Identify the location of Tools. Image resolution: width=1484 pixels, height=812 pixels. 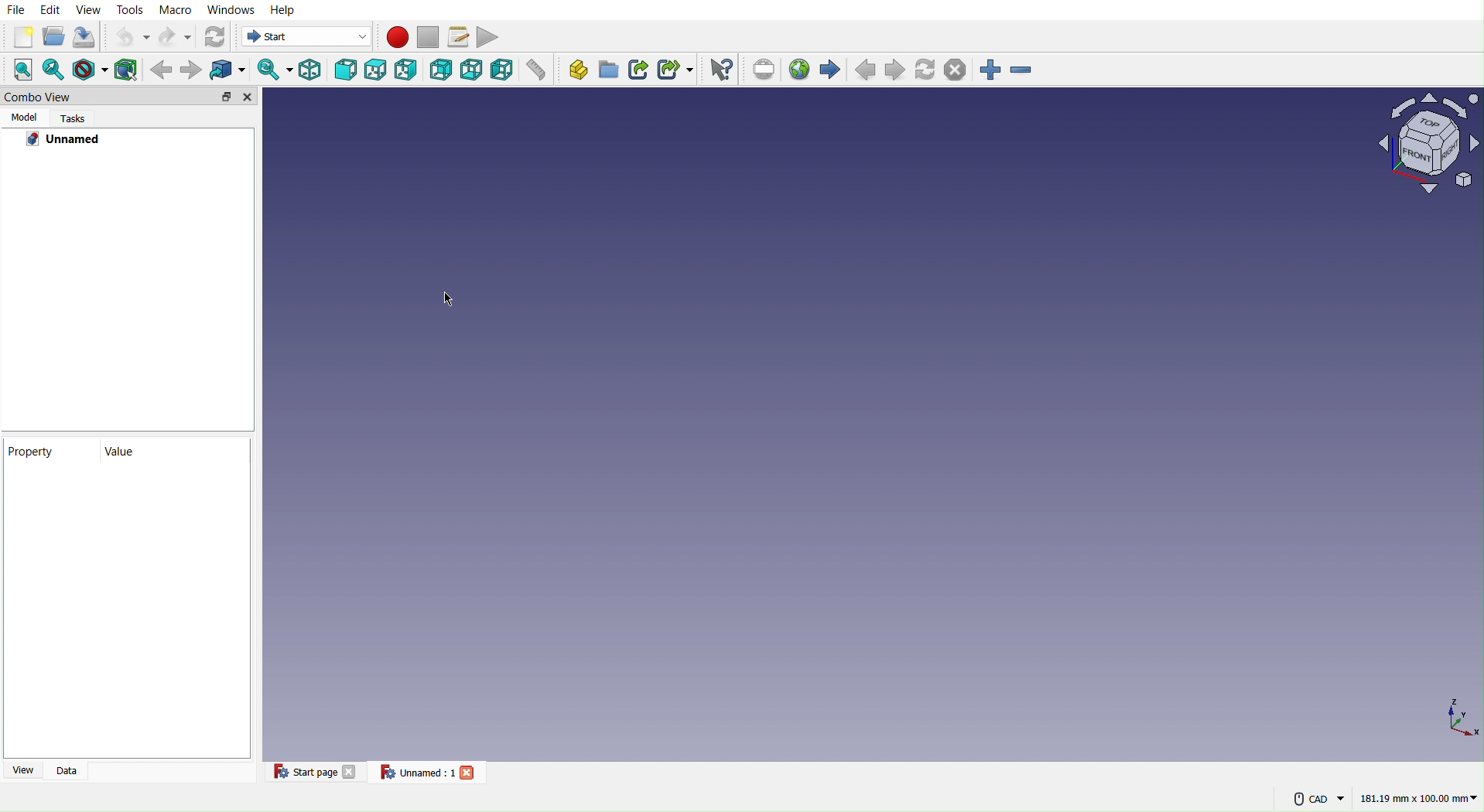
(132, 10).